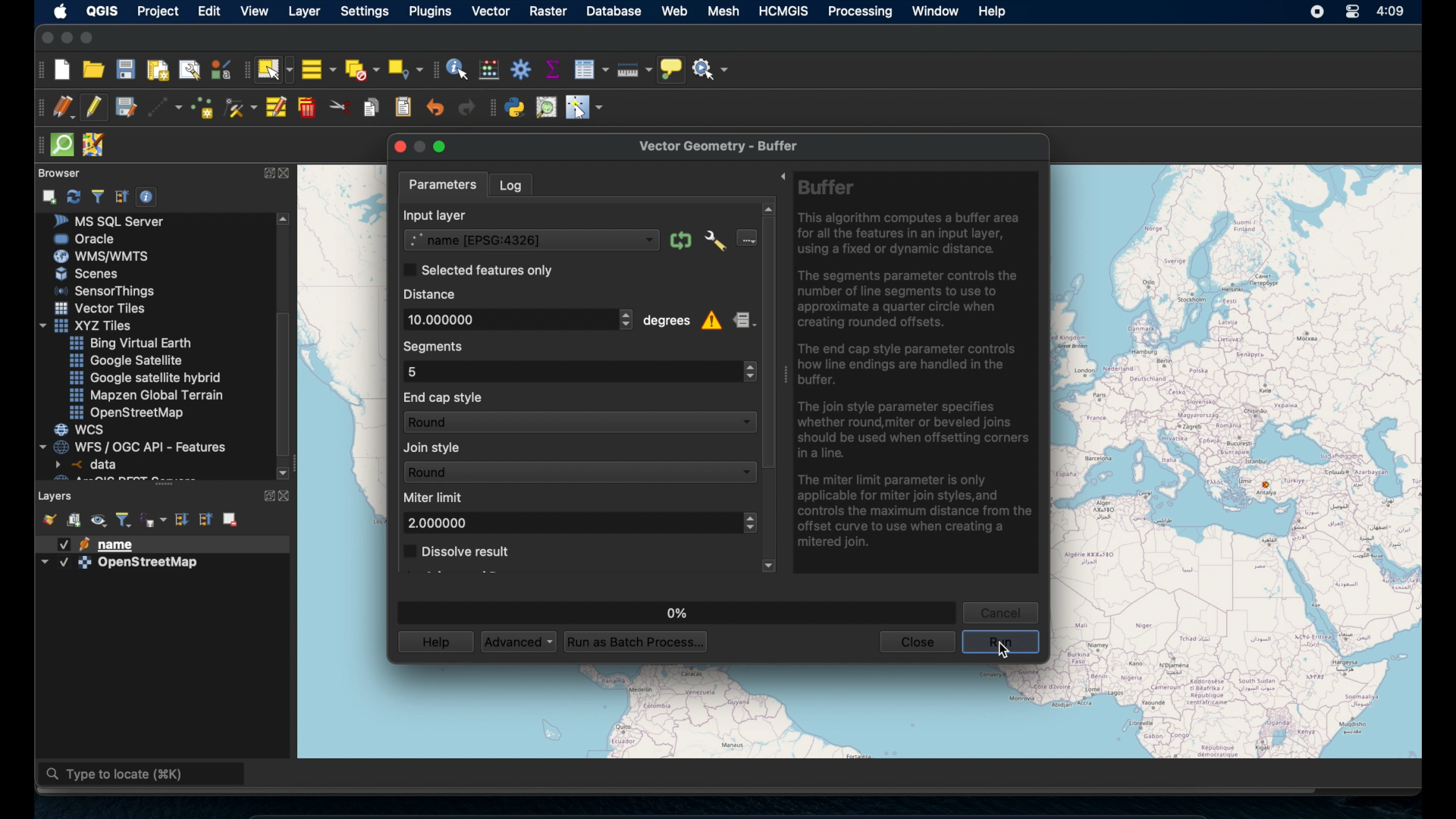  Describe the element at coordinates (491, 107) in the screenshot. I see `plugins toolbar` at that location.